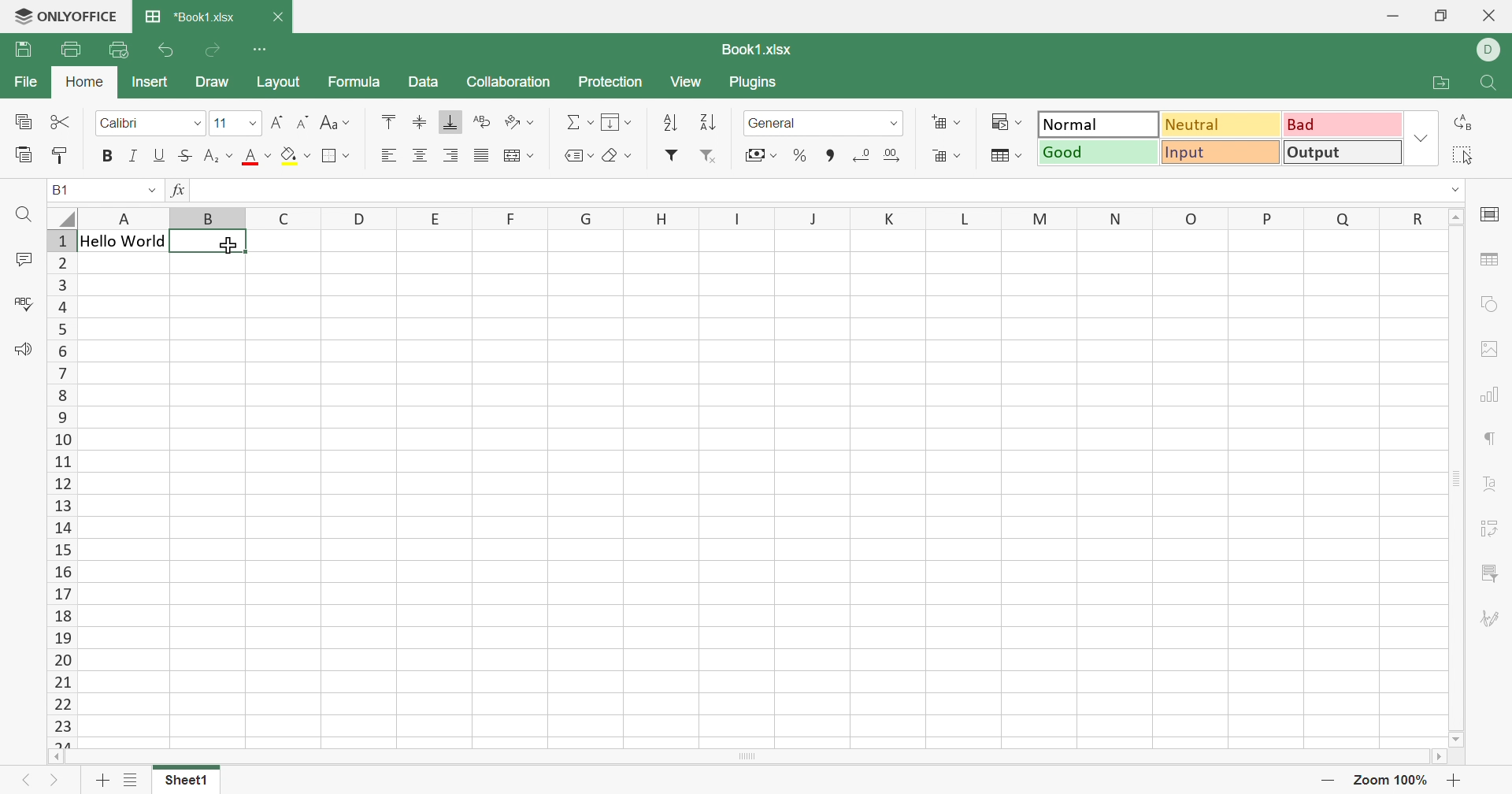 The image size is (1512, 794). What do you see at coordinates (147, 190) in the screenshot?
I see `Drop down` at bounding box center [147, 190].